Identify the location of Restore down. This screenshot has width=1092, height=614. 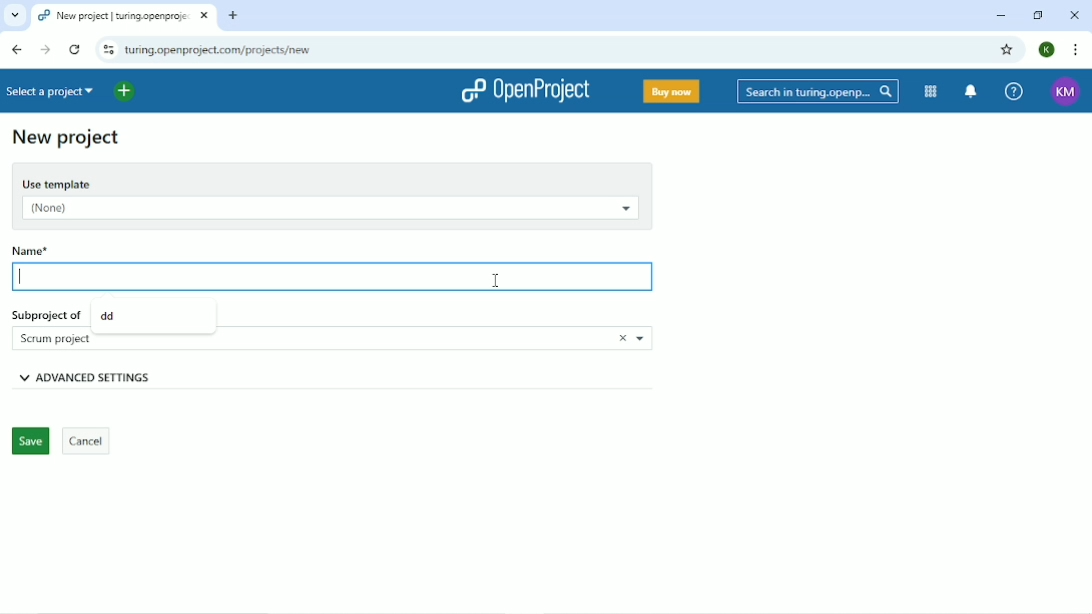
(1041, 16).